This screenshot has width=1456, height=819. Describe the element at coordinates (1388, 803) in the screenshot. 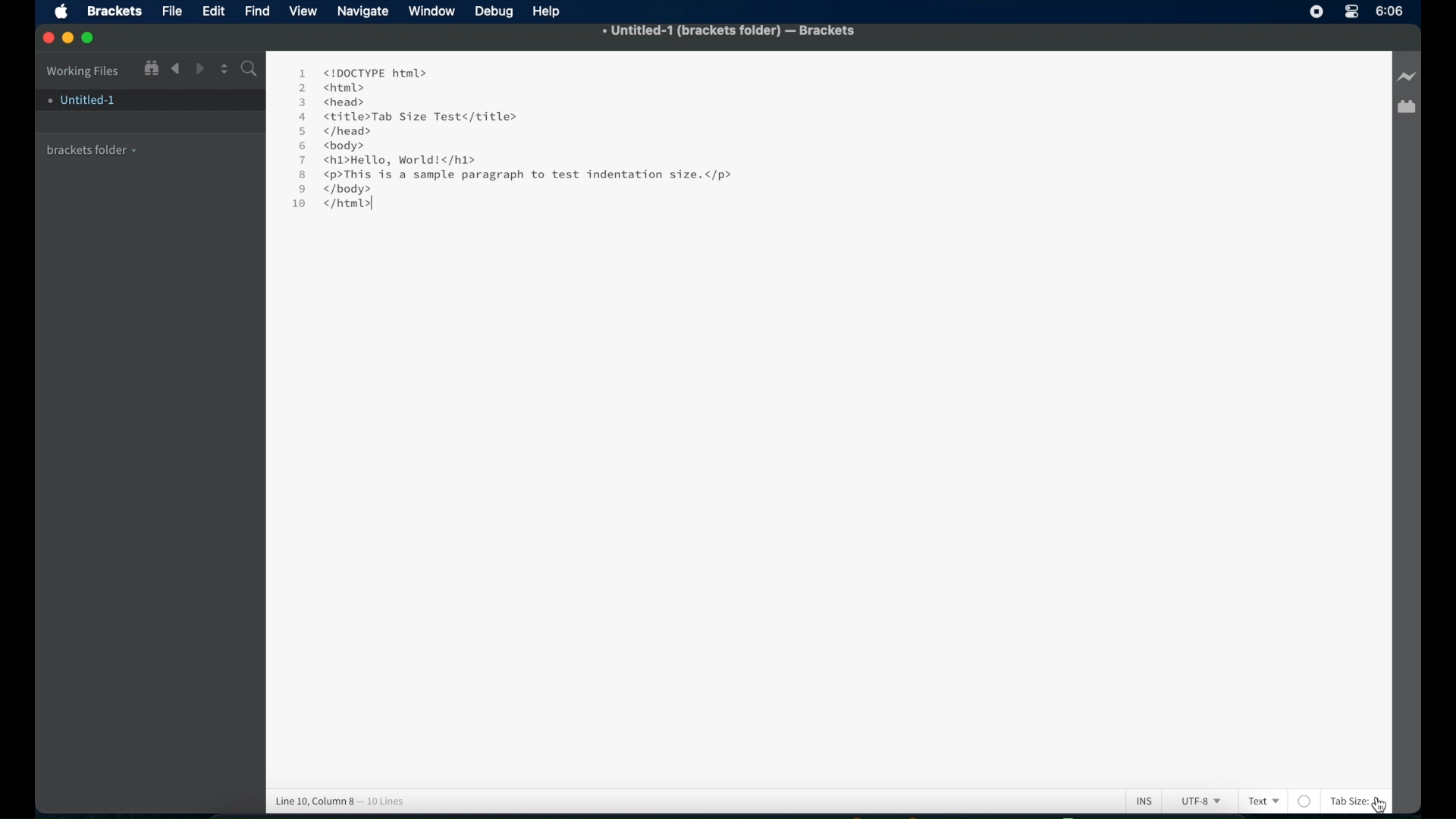

I see `Cursor` at that location.